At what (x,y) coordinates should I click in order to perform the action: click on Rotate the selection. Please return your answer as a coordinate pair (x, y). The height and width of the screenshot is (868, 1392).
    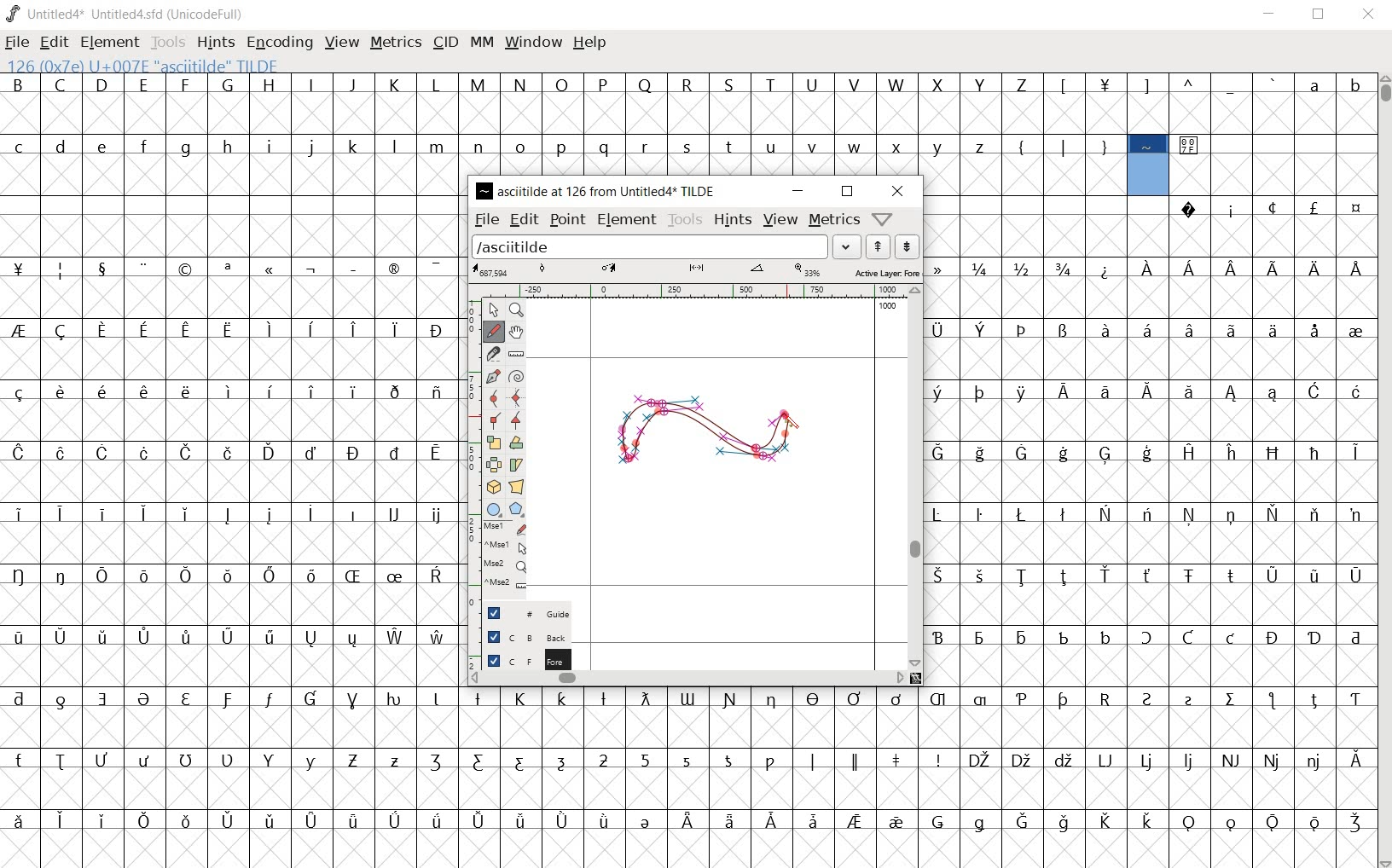
    Looking at the image, I should click on (516, 465).